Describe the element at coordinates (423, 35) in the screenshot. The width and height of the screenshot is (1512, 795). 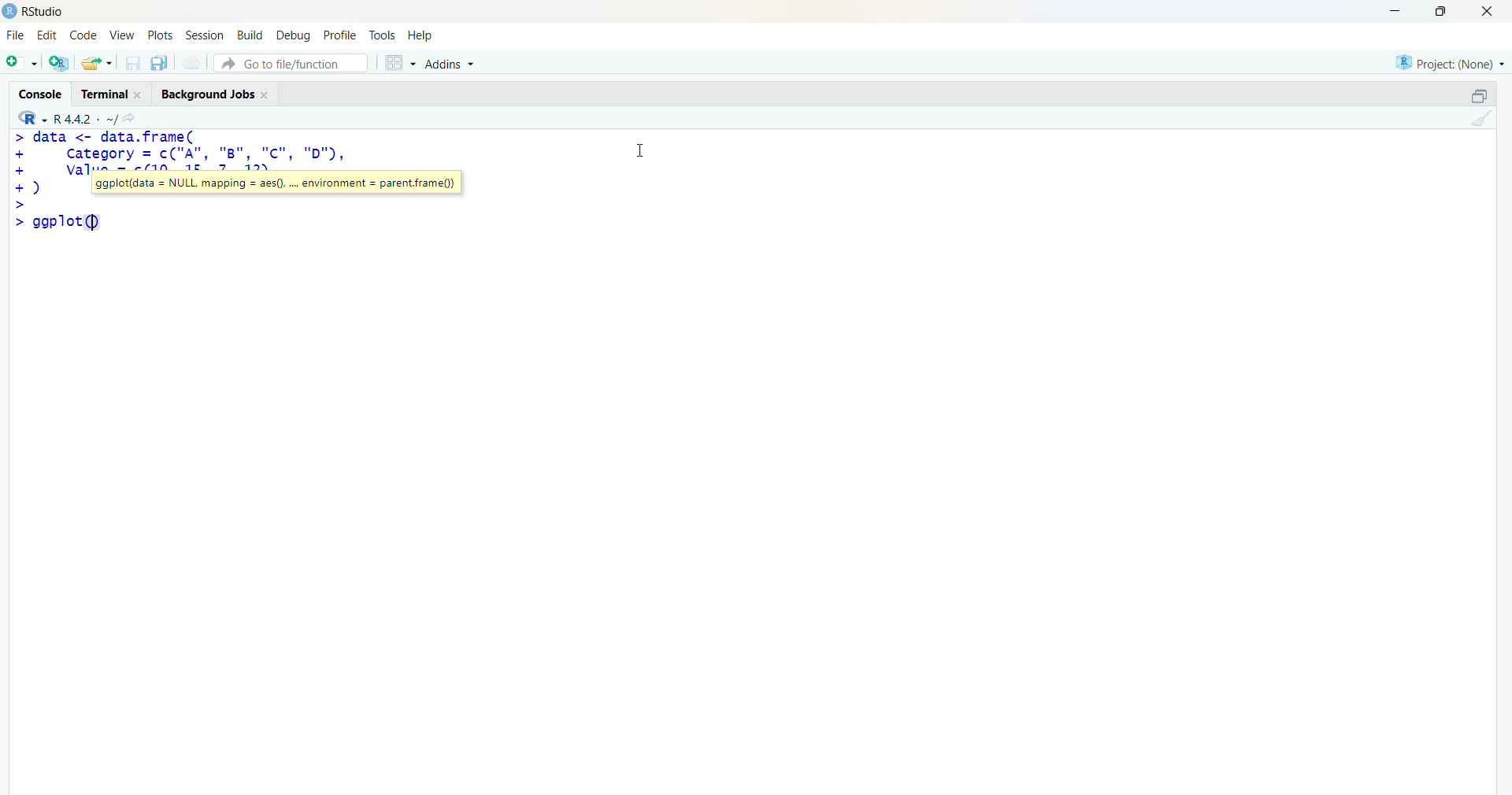
I see `help` at that location.